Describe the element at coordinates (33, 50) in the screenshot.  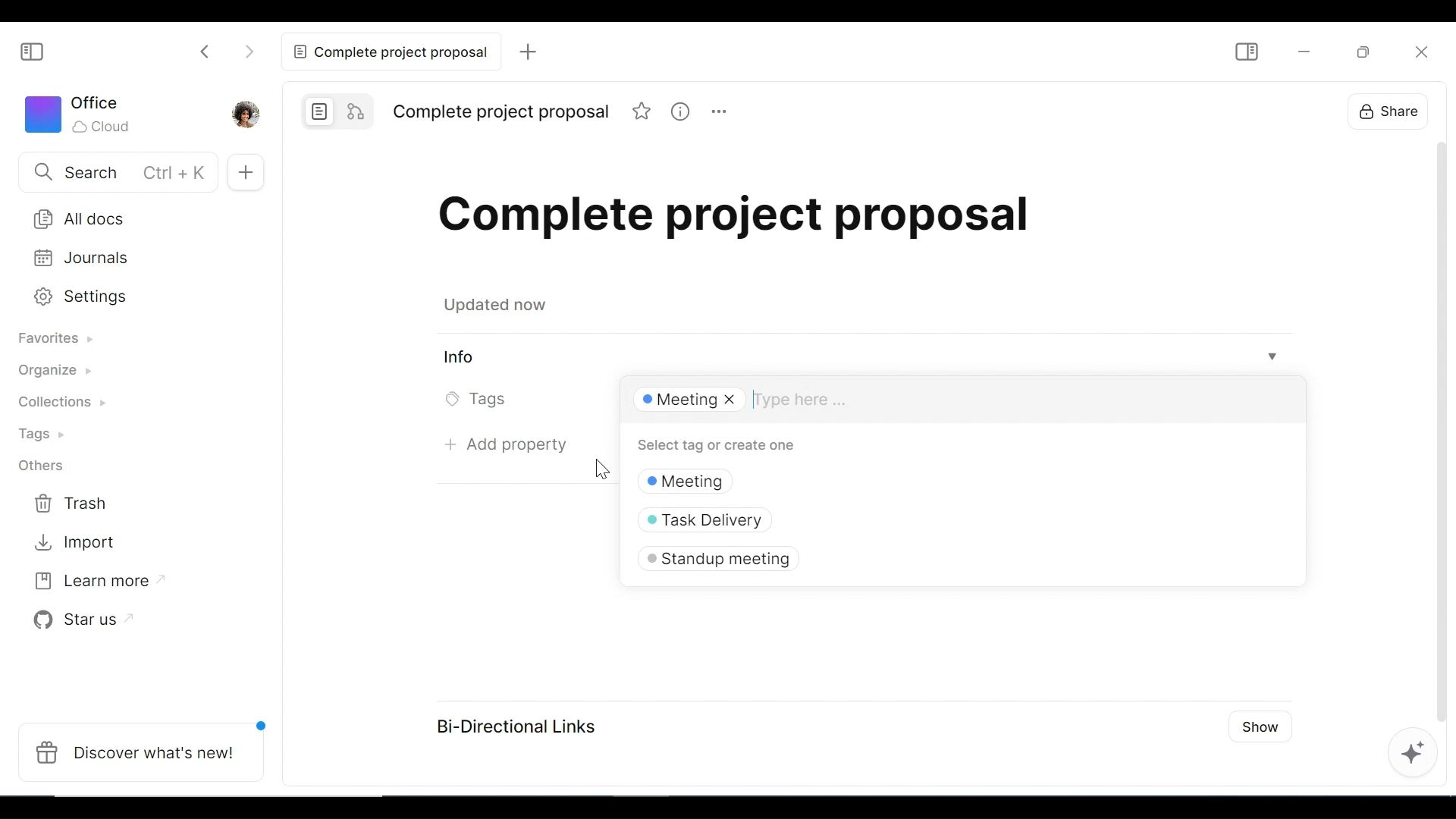
I see `Show/Hide Sidebar` at that location.